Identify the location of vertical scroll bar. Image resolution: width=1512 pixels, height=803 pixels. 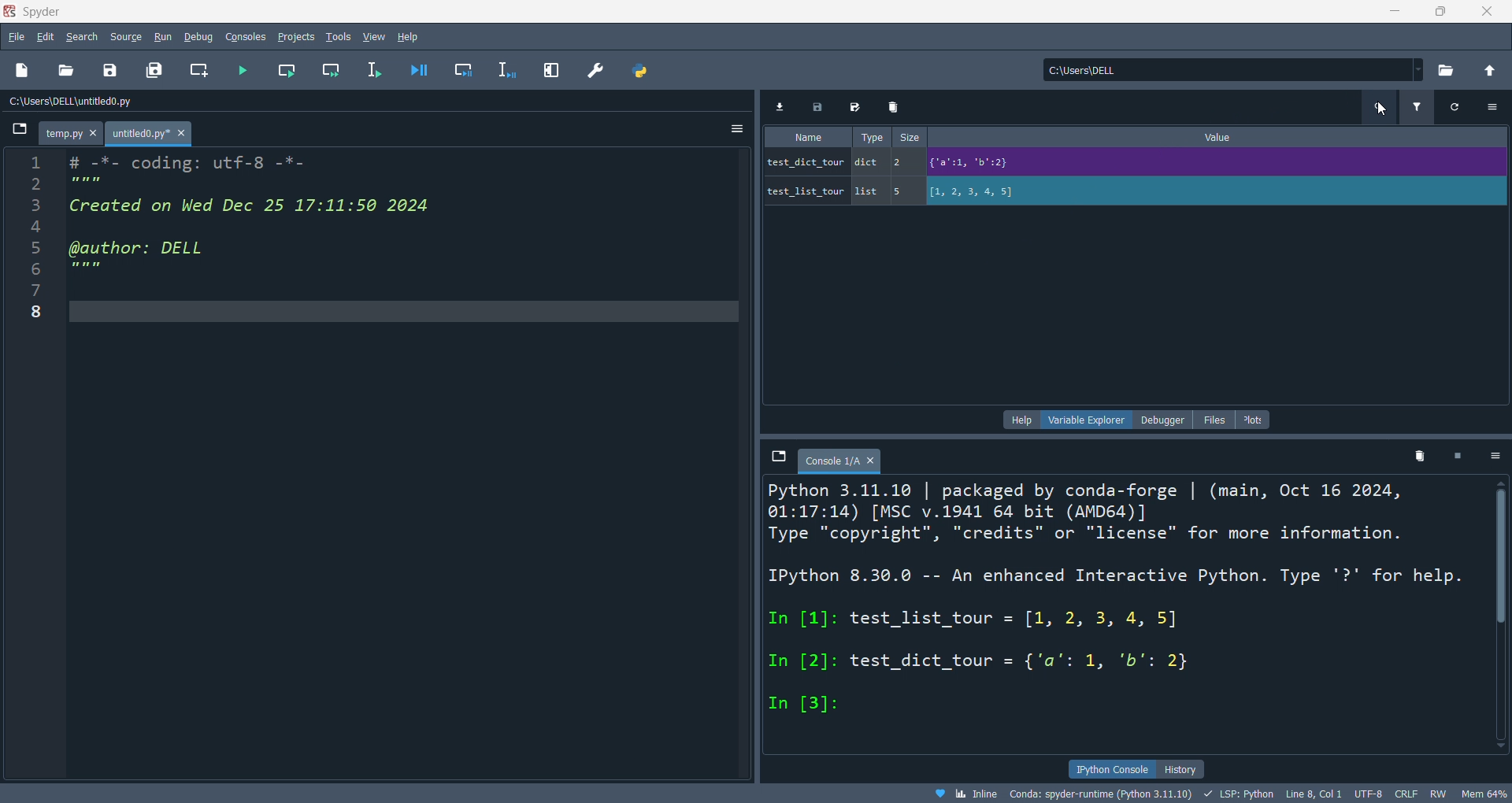
(1502, 616).